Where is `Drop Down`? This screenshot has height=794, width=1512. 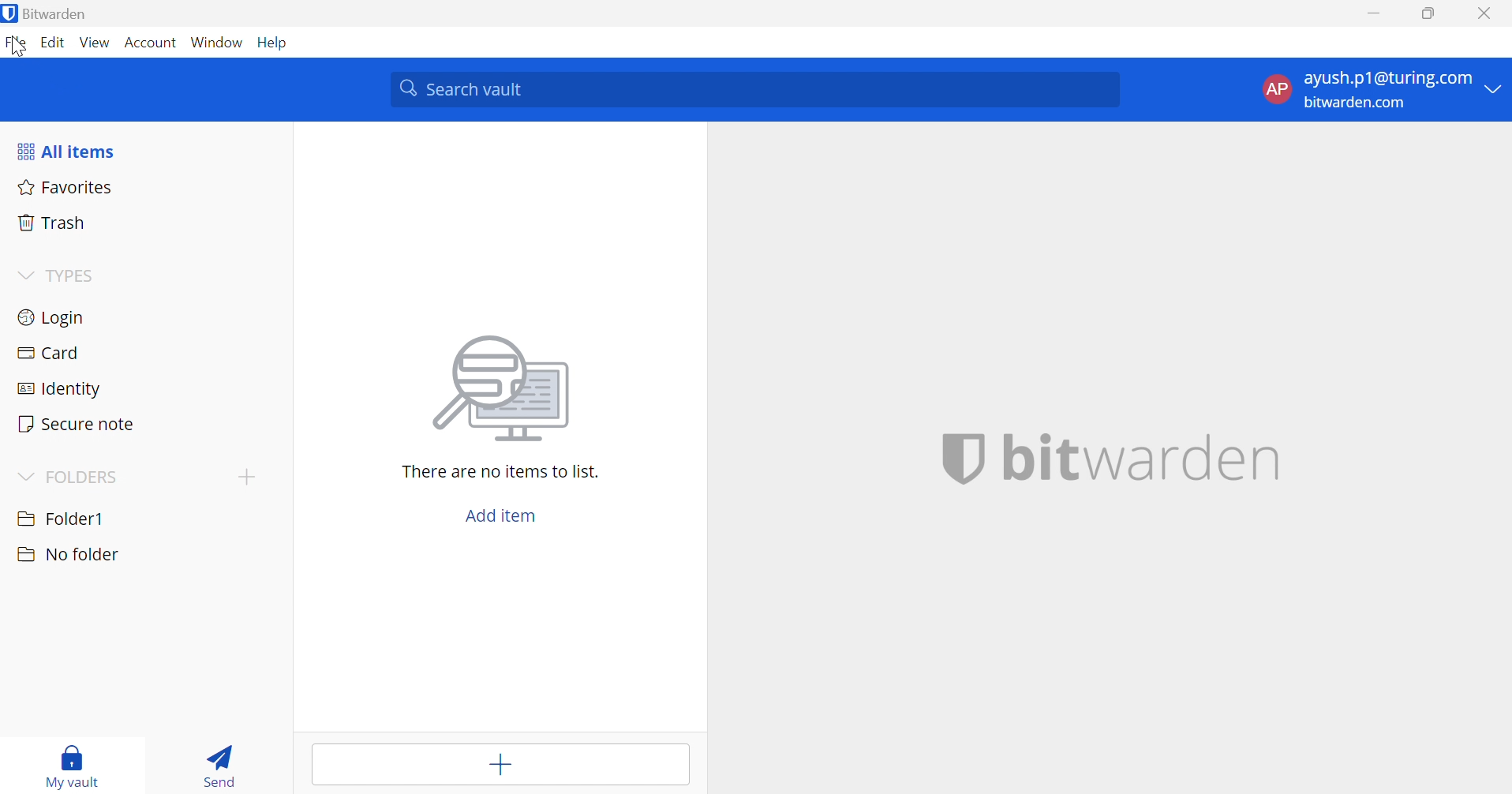 Drop Down is located at coordinates (29, 478).